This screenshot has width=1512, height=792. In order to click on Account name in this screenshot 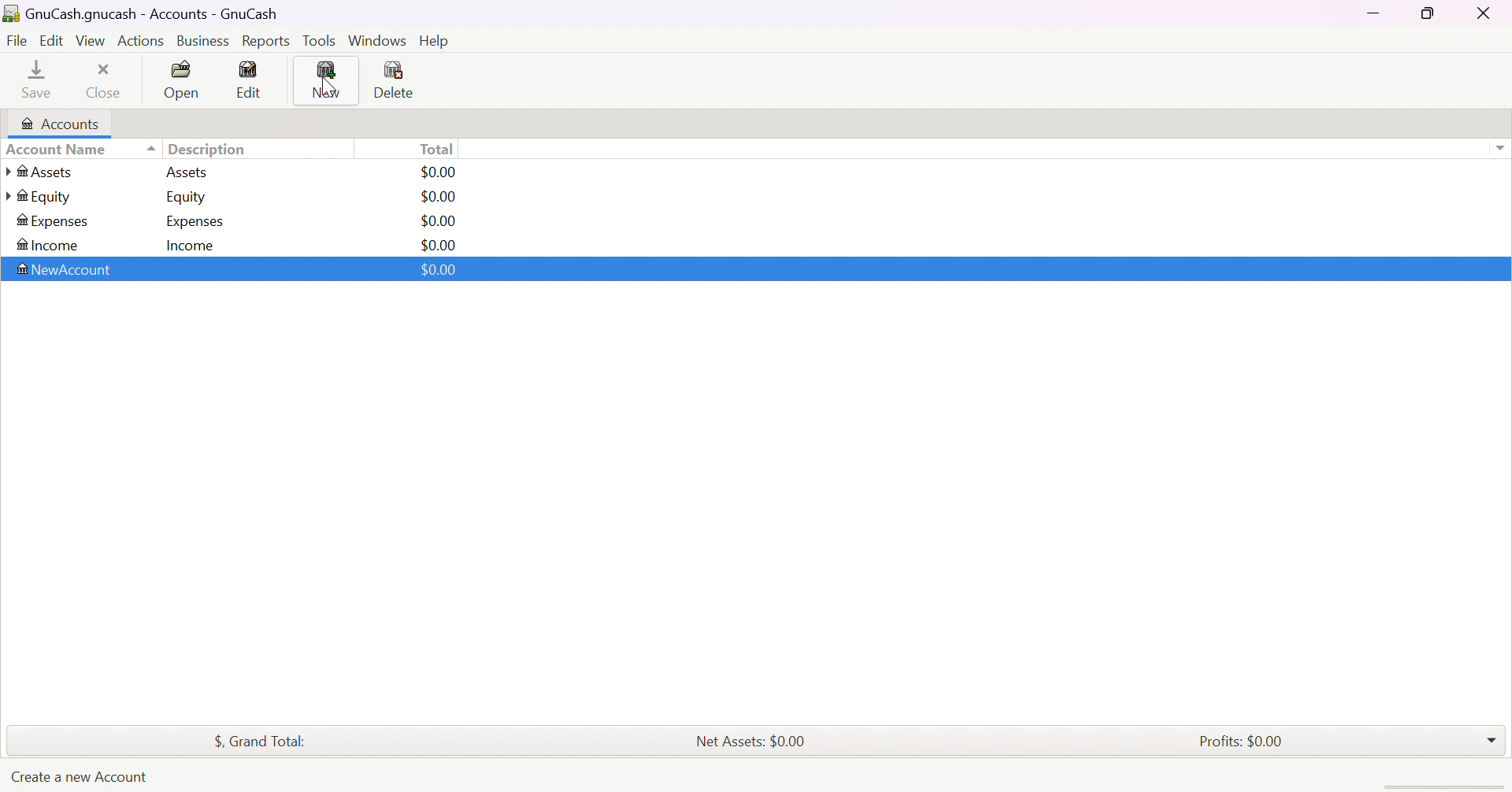, I will do `click(79, 149)`.